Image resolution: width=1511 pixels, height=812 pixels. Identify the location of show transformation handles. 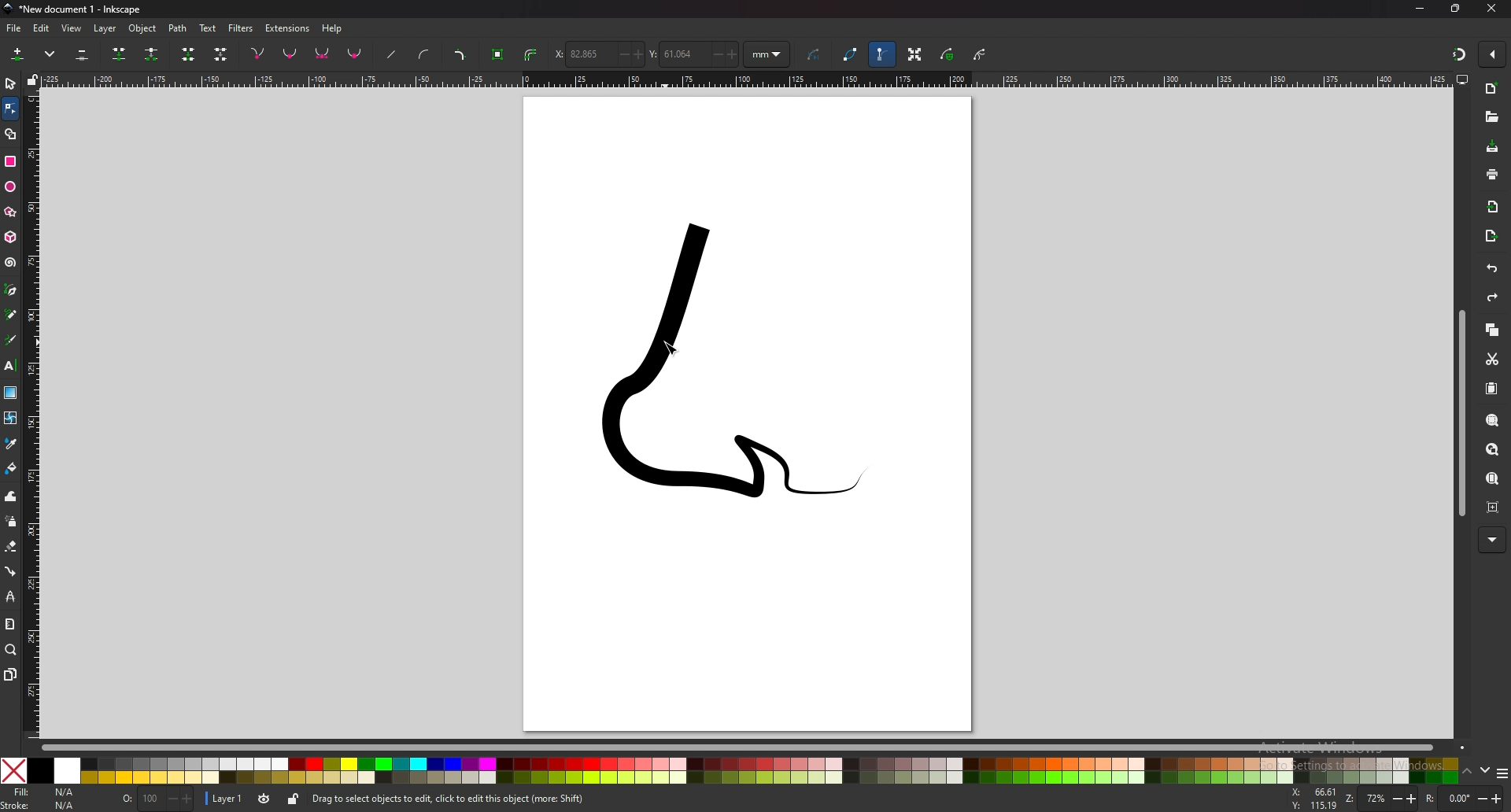
(914, 54).